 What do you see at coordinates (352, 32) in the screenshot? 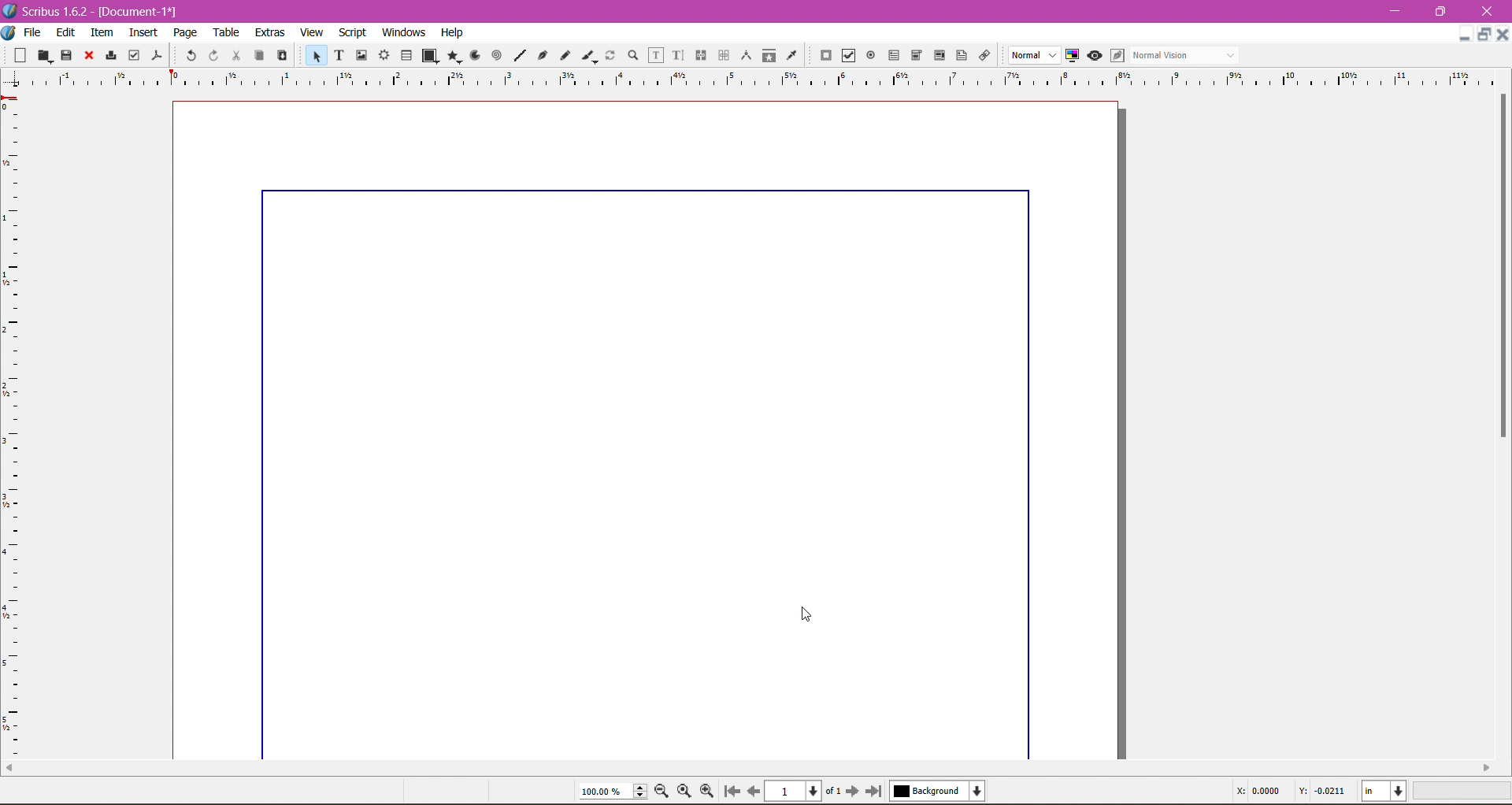
I see `Script` at bounding box center [352, 32].